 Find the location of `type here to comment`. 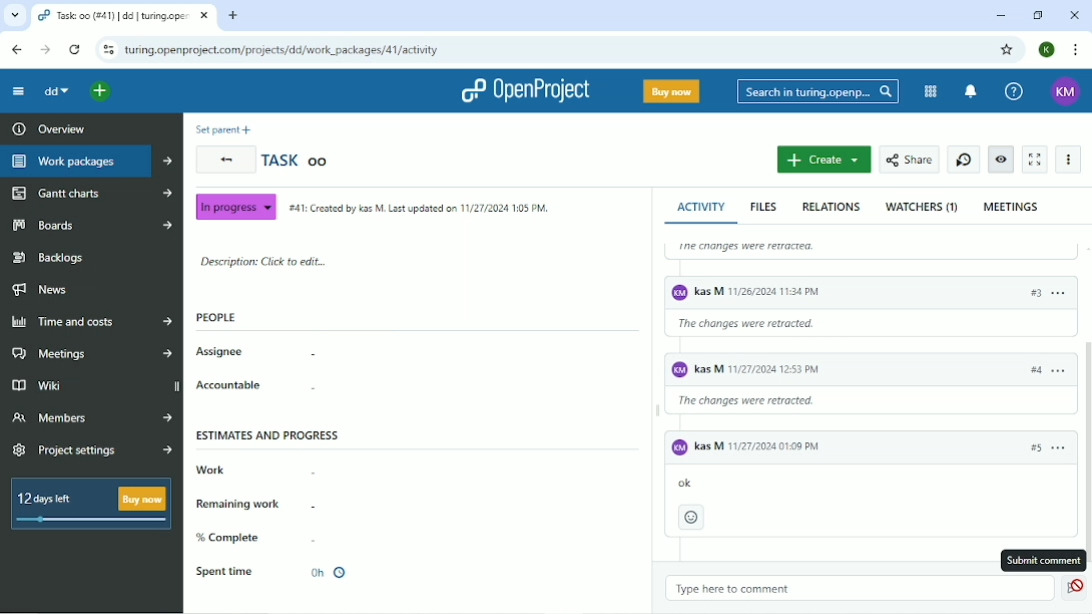

type here to comment is located at coordinates (748, 590).